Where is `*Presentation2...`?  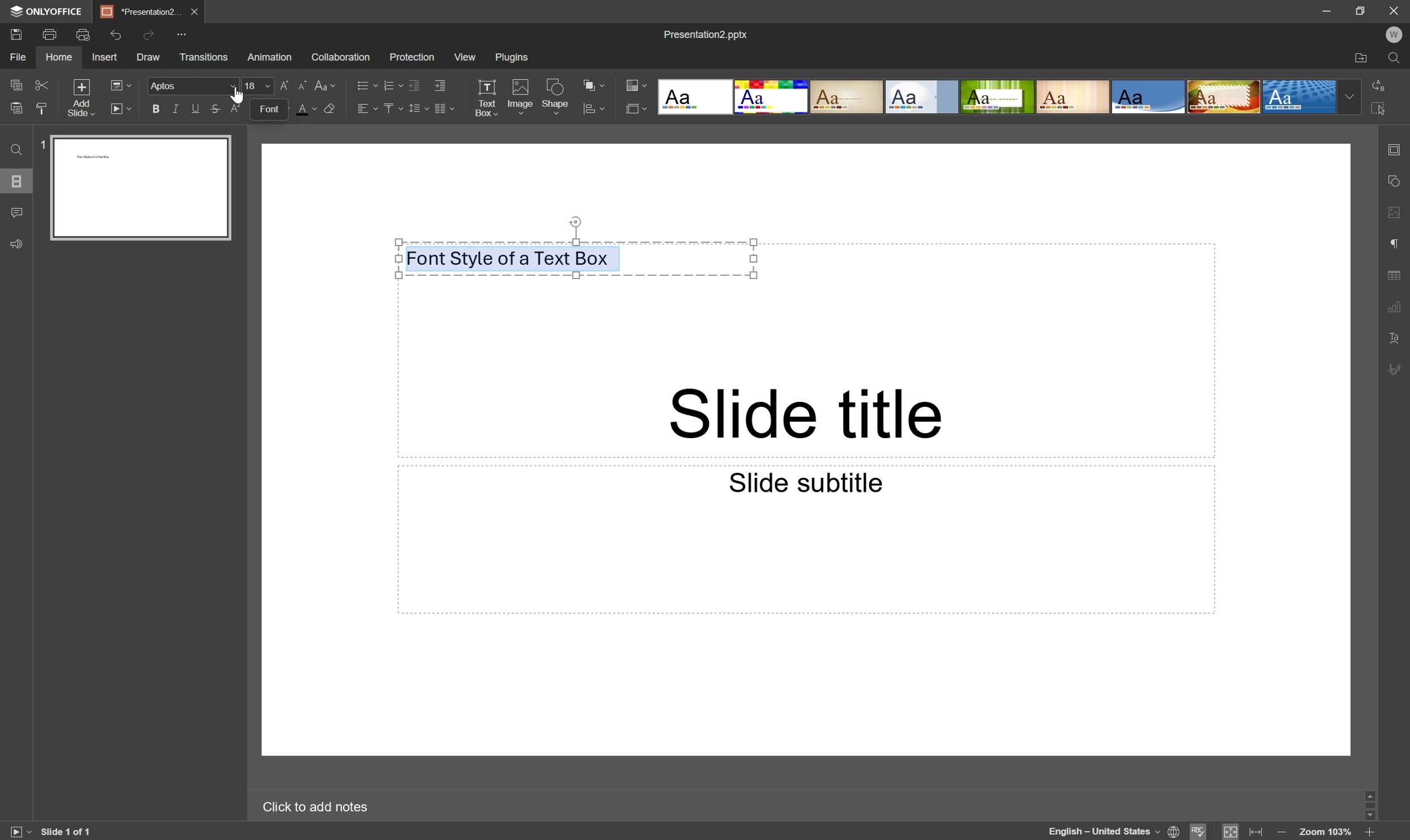
*Presentation2... is located at coordinates (141, 11).